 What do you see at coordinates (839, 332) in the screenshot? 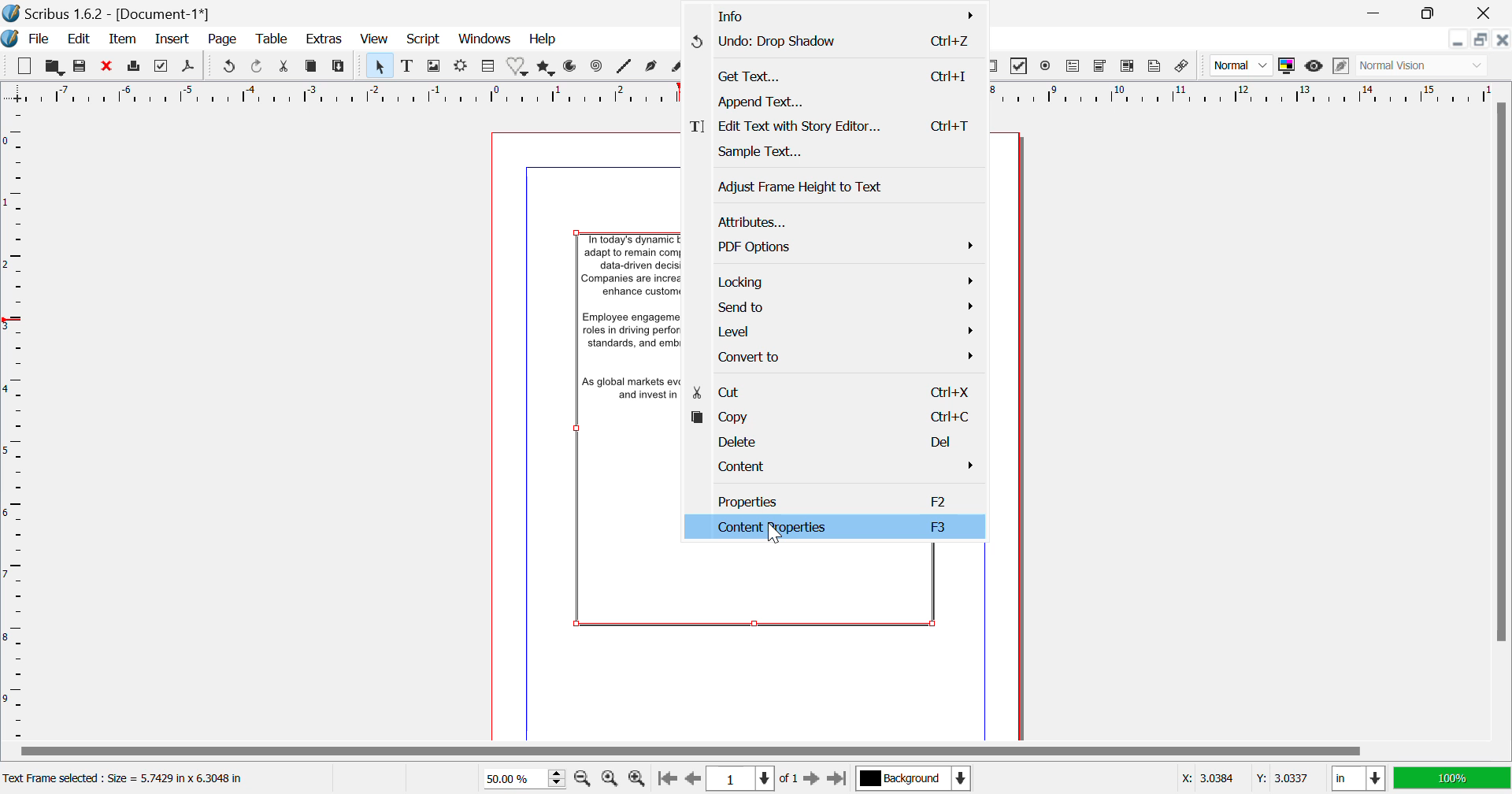
I see `Level` at bounding box center [839, 332].